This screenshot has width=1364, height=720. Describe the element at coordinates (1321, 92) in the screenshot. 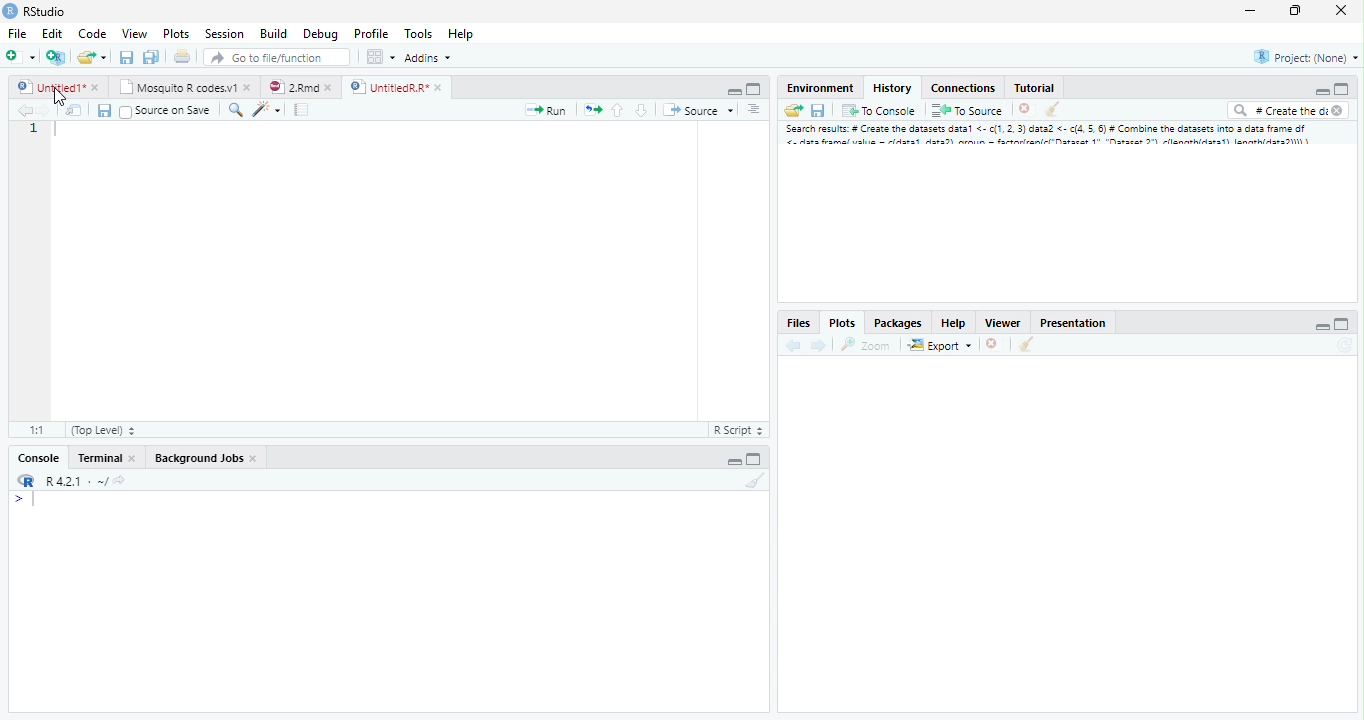

I see `Minimize` at that location.